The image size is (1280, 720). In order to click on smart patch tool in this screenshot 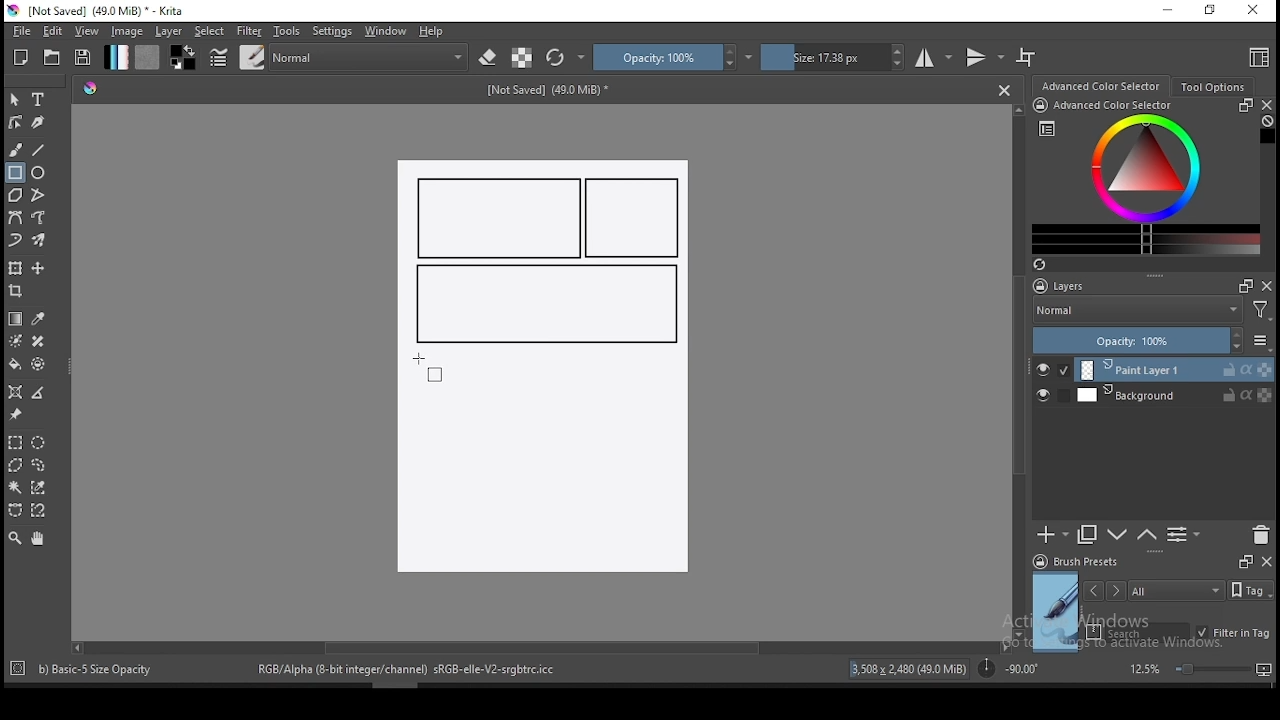, I will do `click(38, 341)`.